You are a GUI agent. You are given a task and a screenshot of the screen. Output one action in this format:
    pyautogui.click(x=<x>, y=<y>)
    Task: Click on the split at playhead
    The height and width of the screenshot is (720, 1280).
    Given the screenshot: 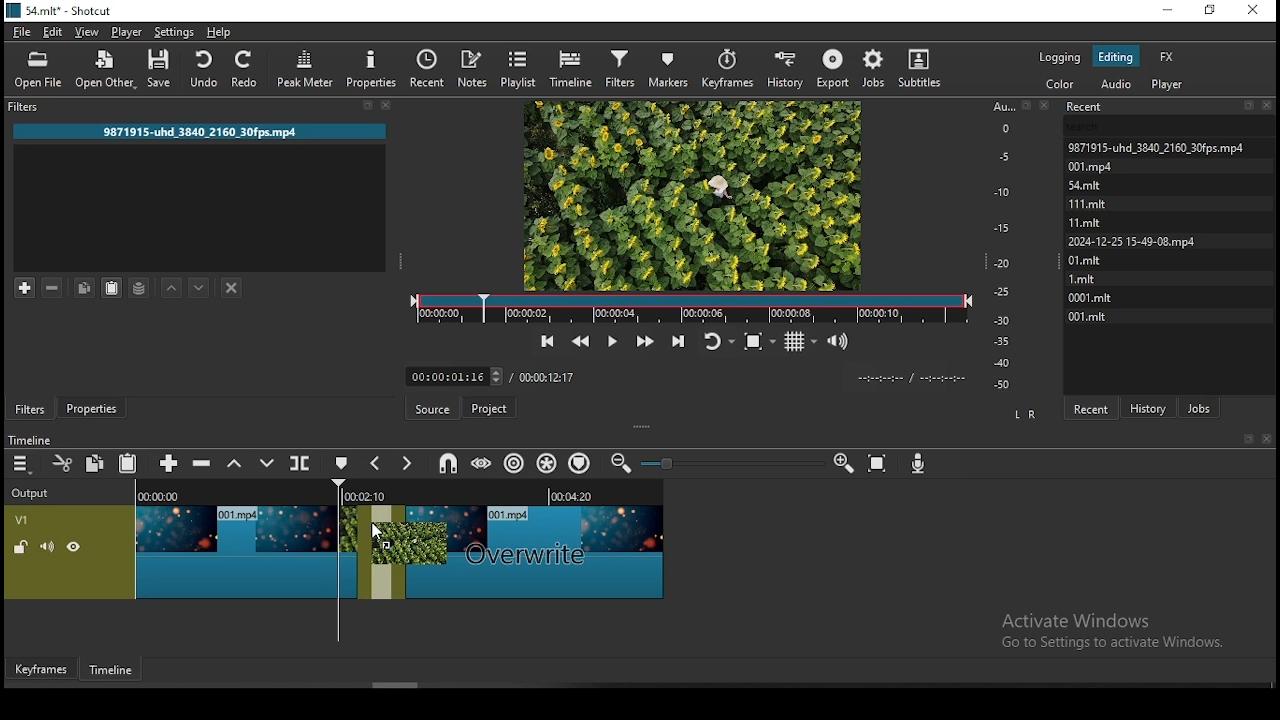 What is the action you would take?
    pyautogui.click(x=299, y=464)
    